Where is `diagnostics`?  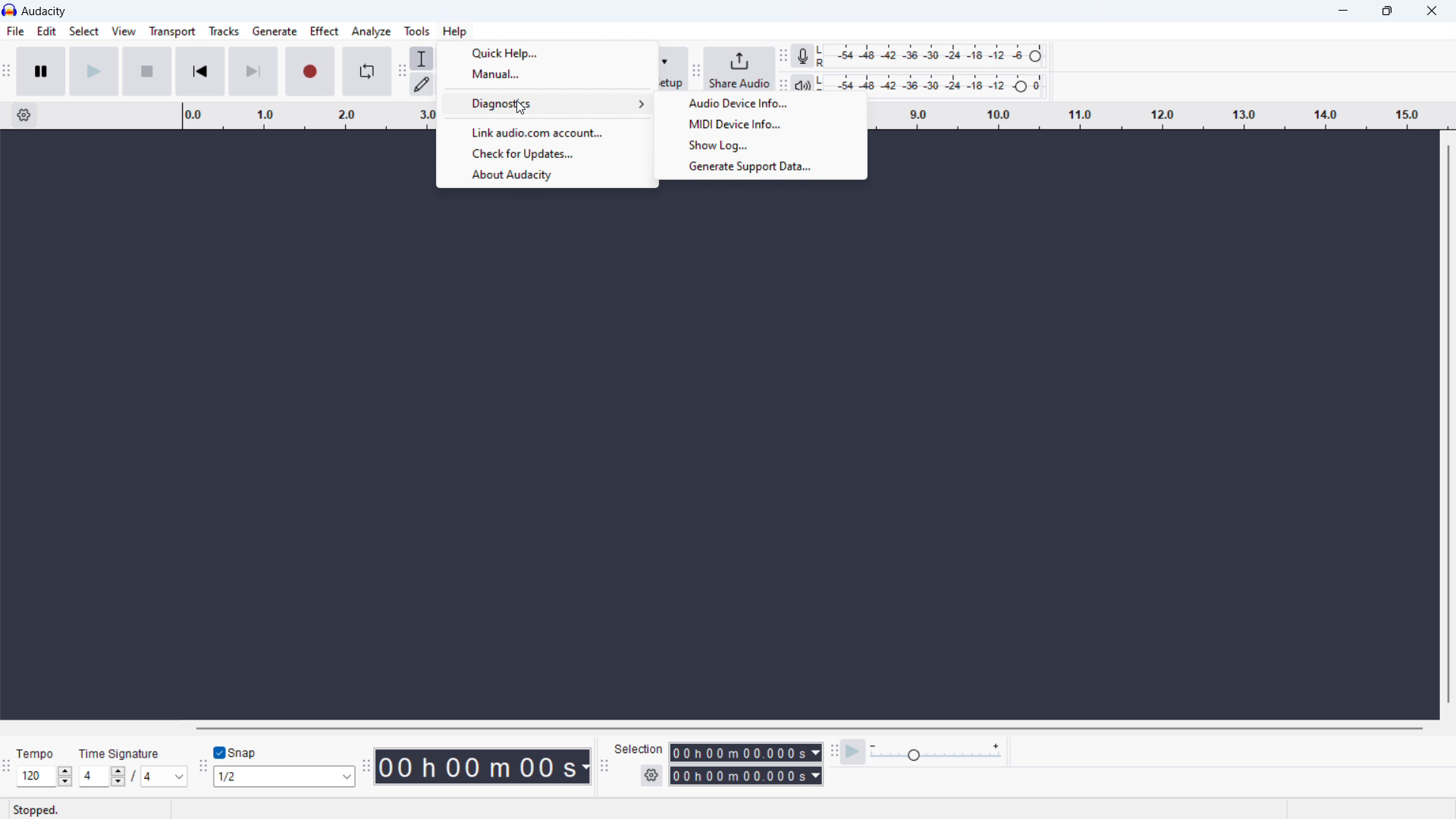
diagnostics is located at coordinates (547, 105).